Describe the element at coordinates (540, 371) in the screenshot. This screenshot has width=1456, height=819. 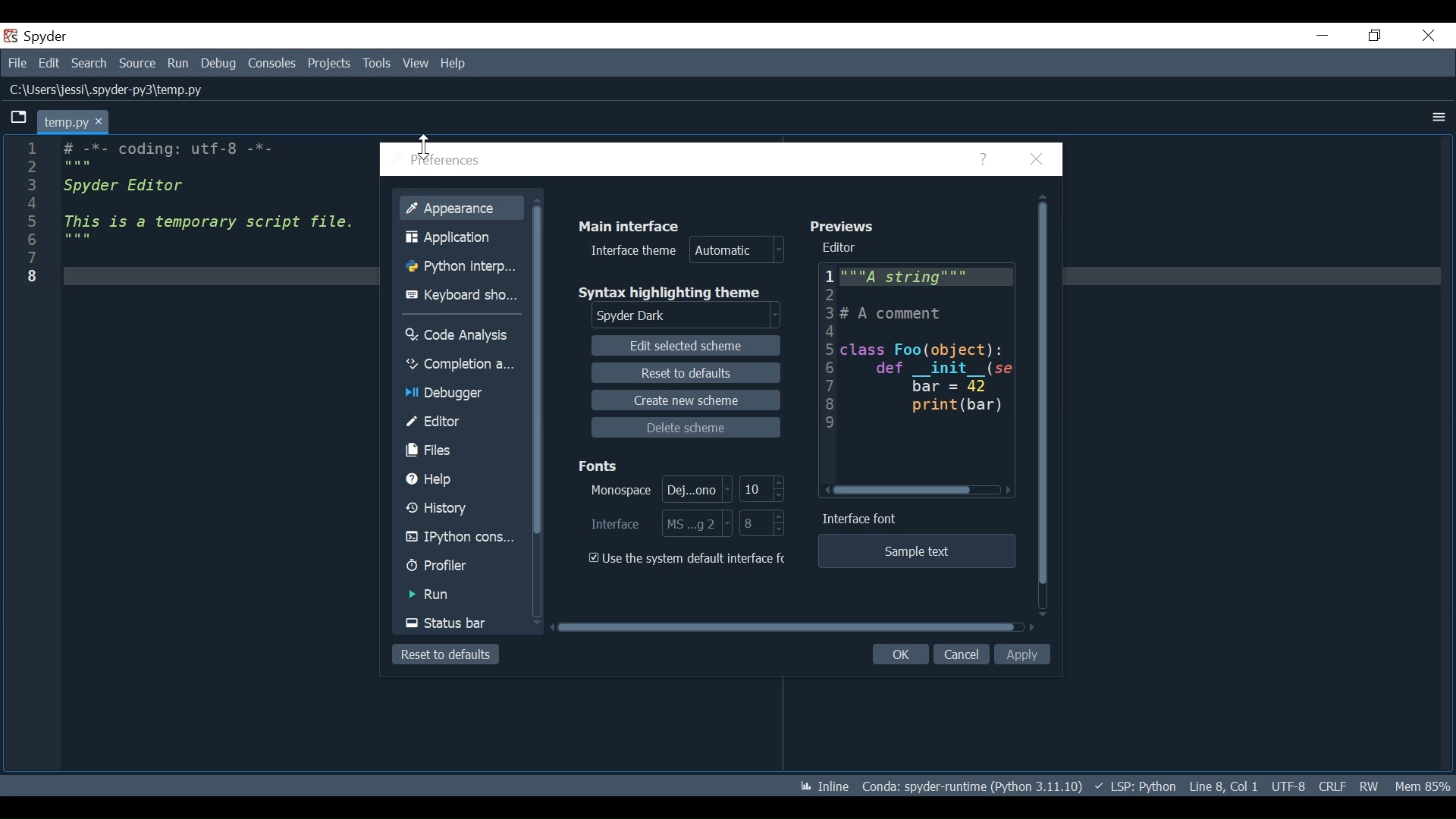
I see `Vertical Scroll bar` at that location.